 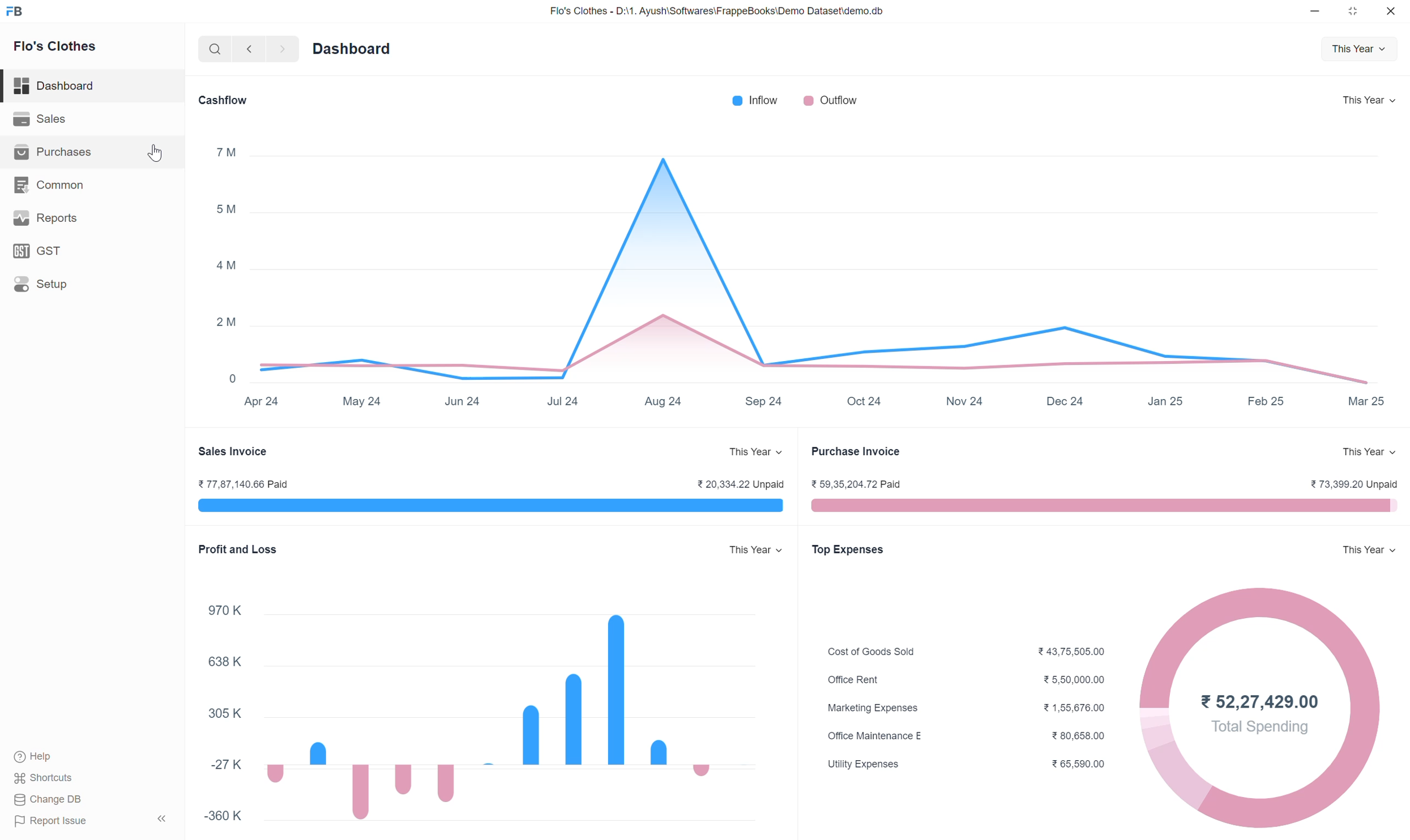 I want to click on y Reports, so click(x=43, y=218).